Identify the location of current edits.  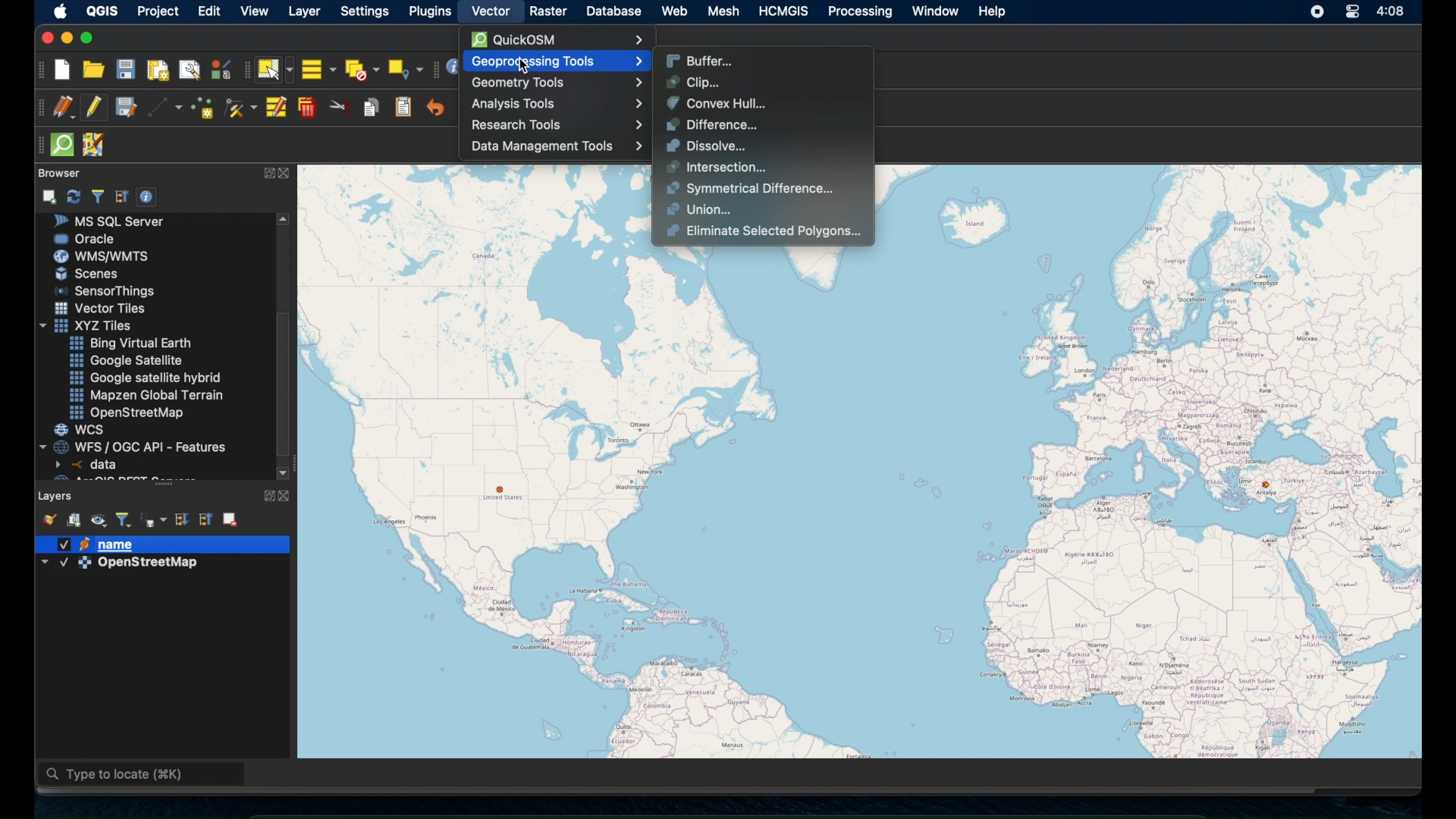
(62, 107).